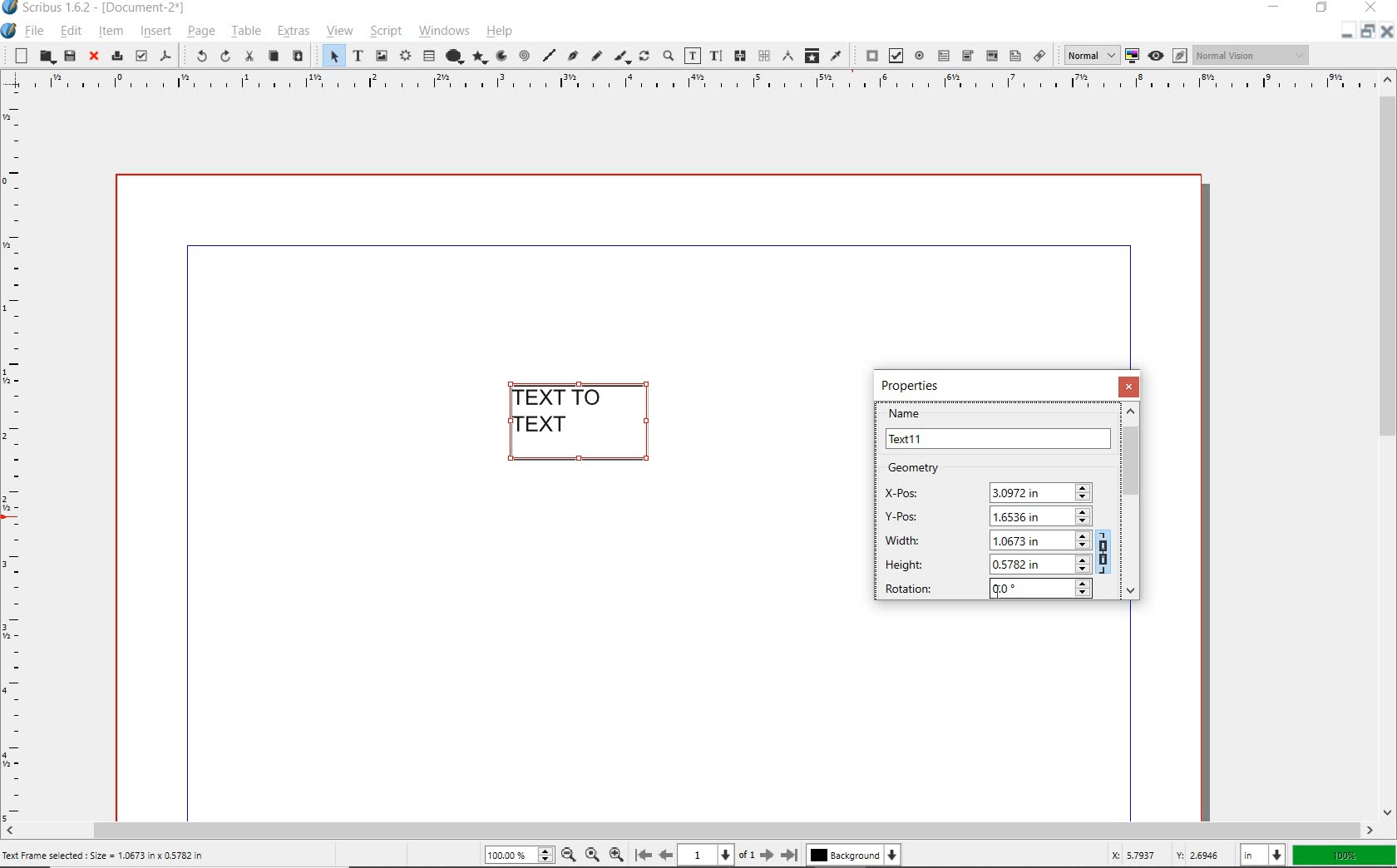 The width and height of the screenshot is (1397, 868). I want to click on GEOMETRY, so click(927, 468).